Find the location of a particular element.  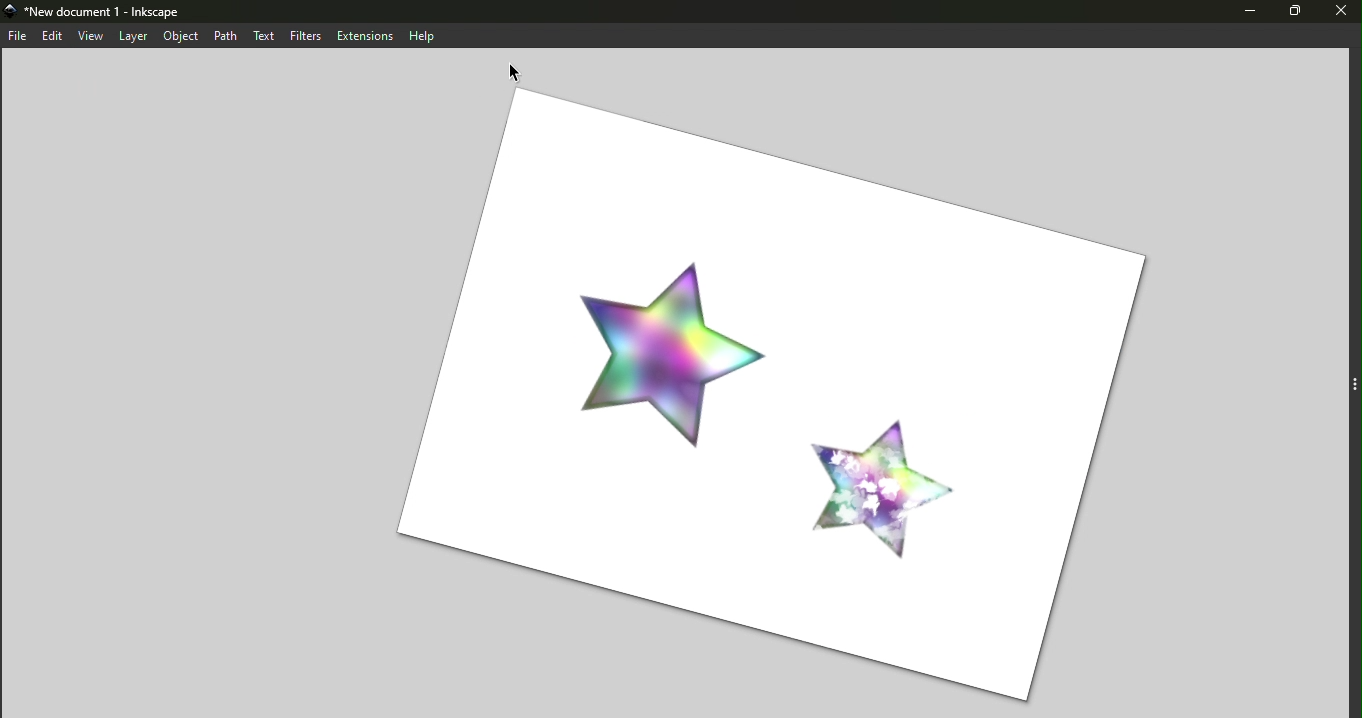

Extensions is located at coordinates (362, 35).